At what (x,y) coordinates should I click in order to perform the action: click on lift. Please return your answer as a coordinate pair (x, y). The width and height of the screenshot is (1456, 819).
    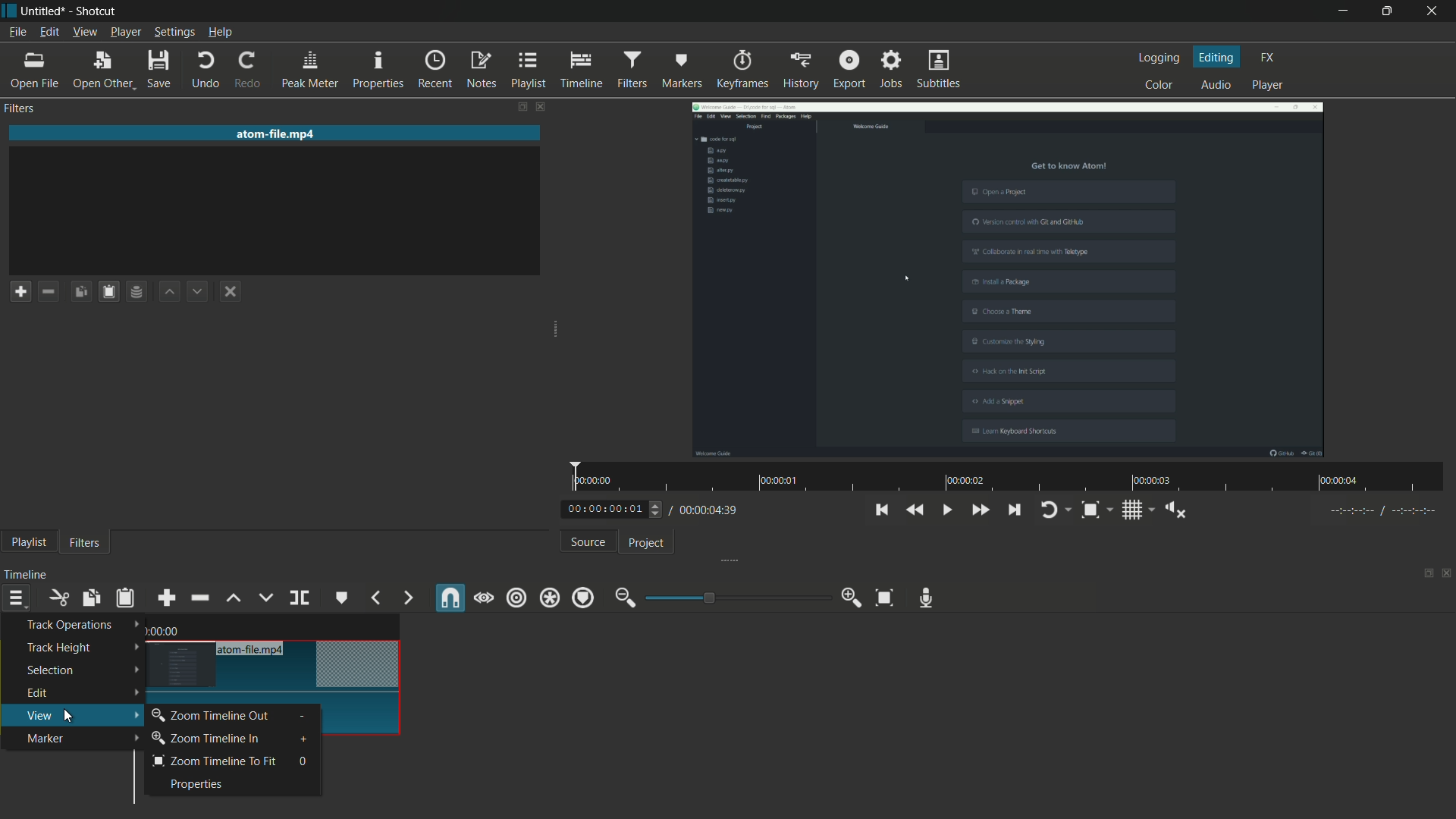
    Looking at the image, I should click on (233, 598).